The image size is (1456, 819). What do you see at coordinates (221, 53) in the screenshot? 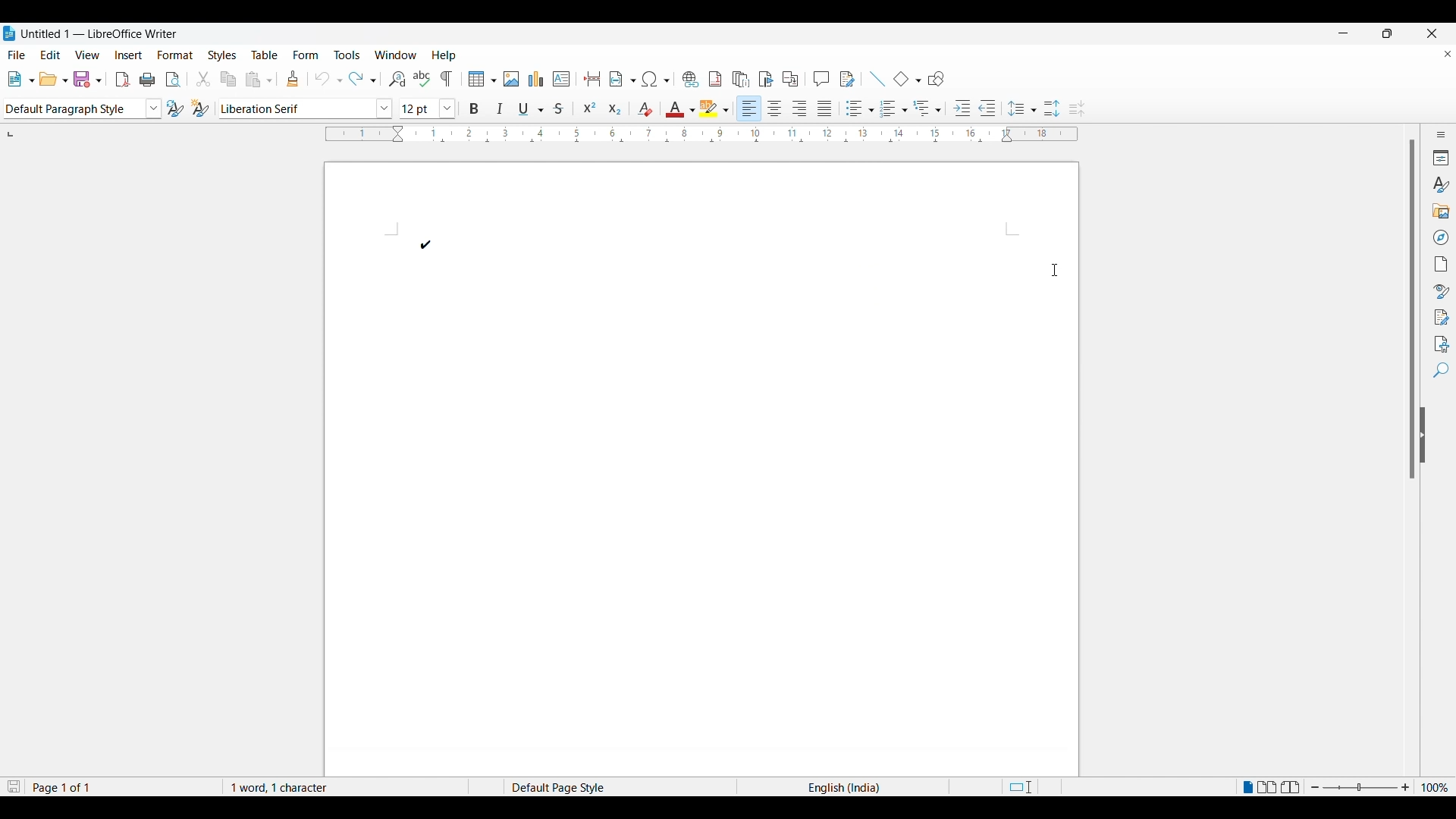
I see `Styles` at bounding box center [221, 53].